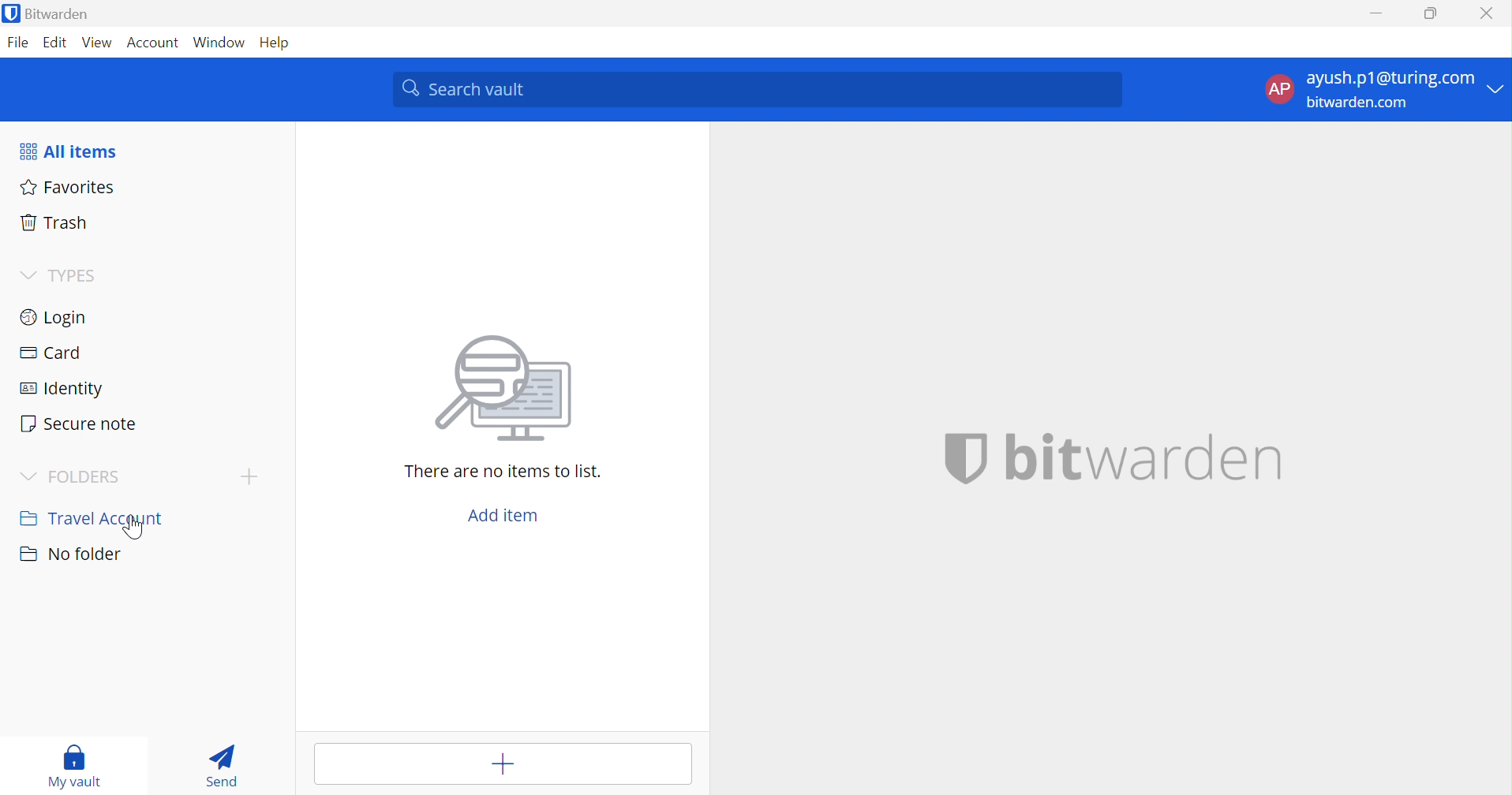 The height and width of the screenshot is (795, 1512). Describe the element at coordinates (224, 765) in the screenshot. I see `Send` at that location.